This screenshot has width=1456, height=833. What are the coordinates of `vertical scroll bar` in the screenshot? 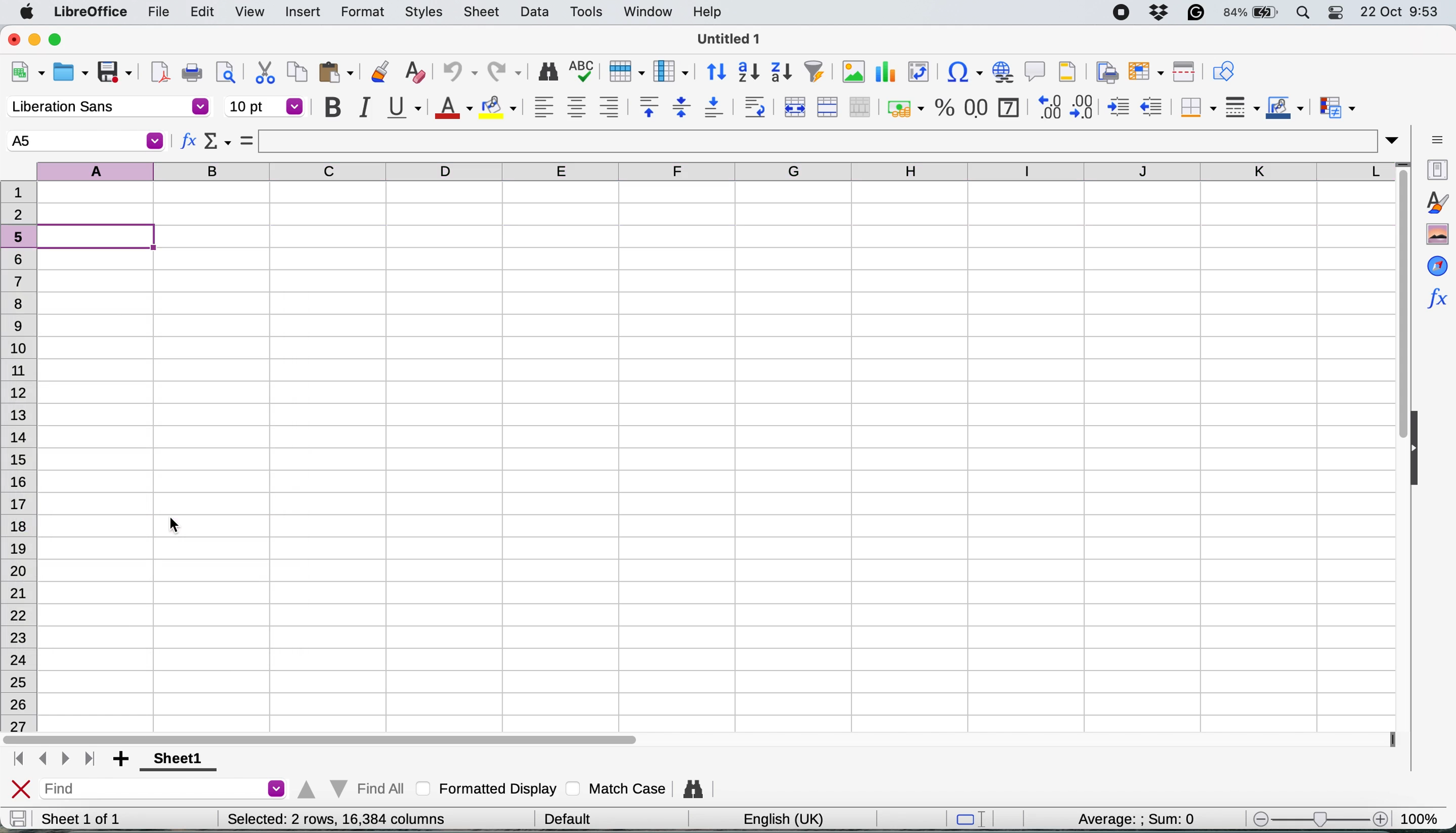 It's located at (1394, 312).